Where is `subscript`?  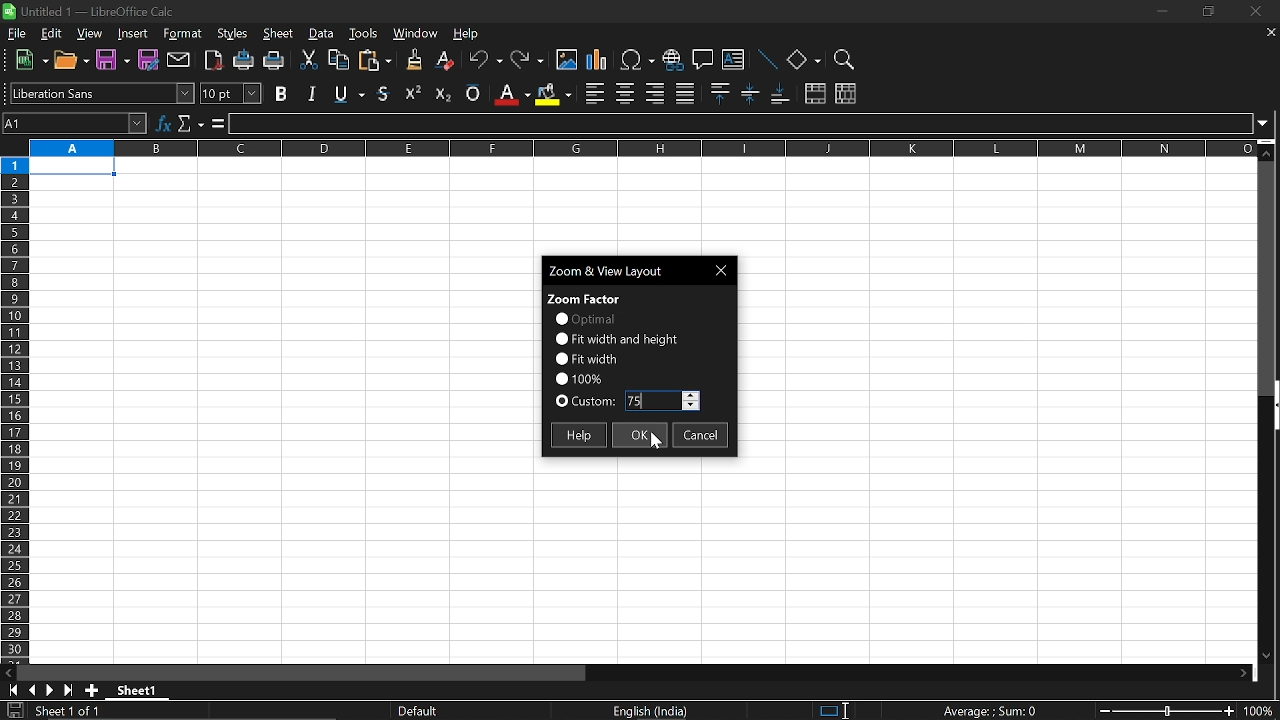
subscript is located at coordinates (441, 92).